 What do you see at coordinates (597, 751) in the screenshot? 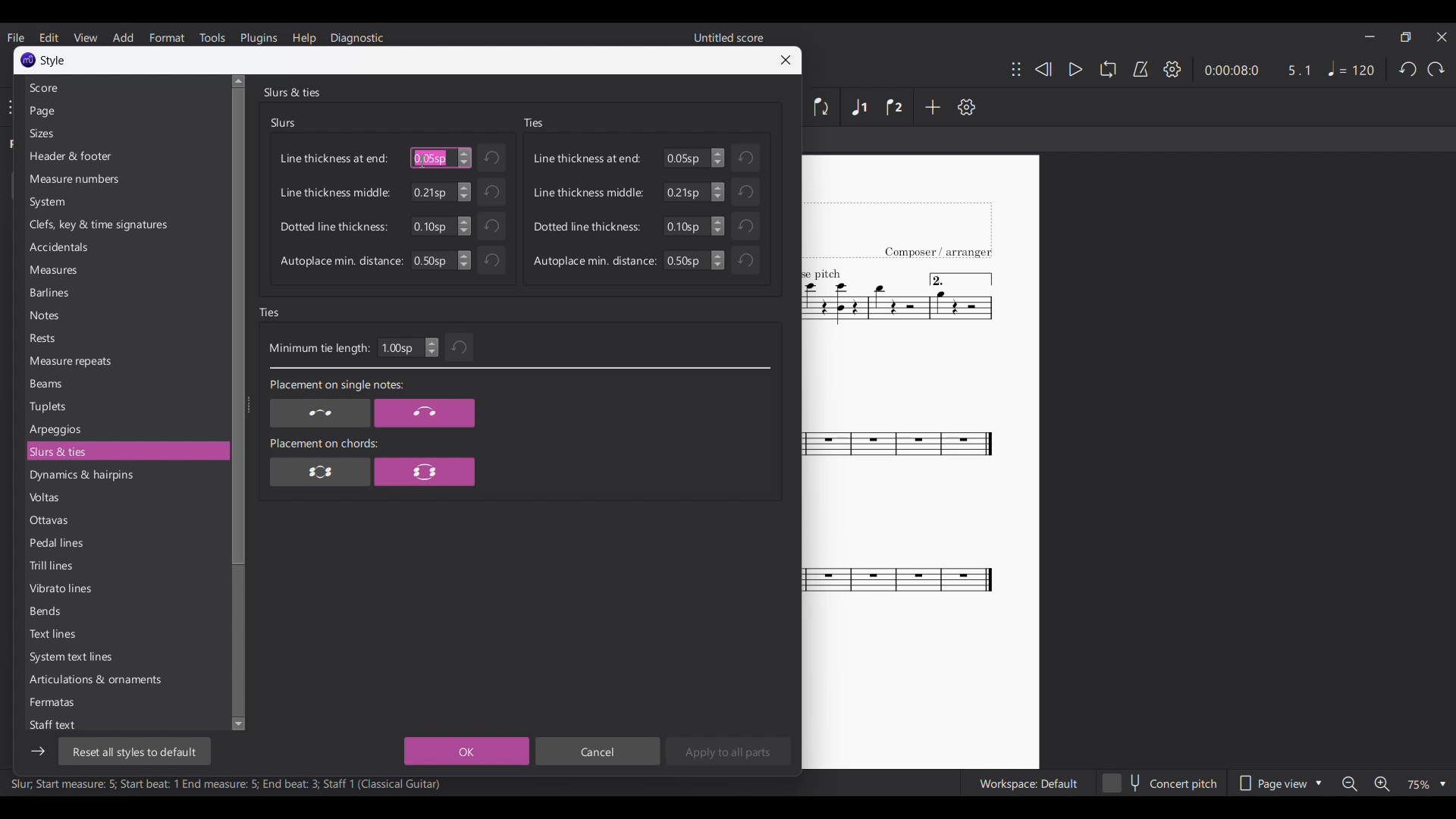
I see `Cancel` at bounding box center [597, 751].